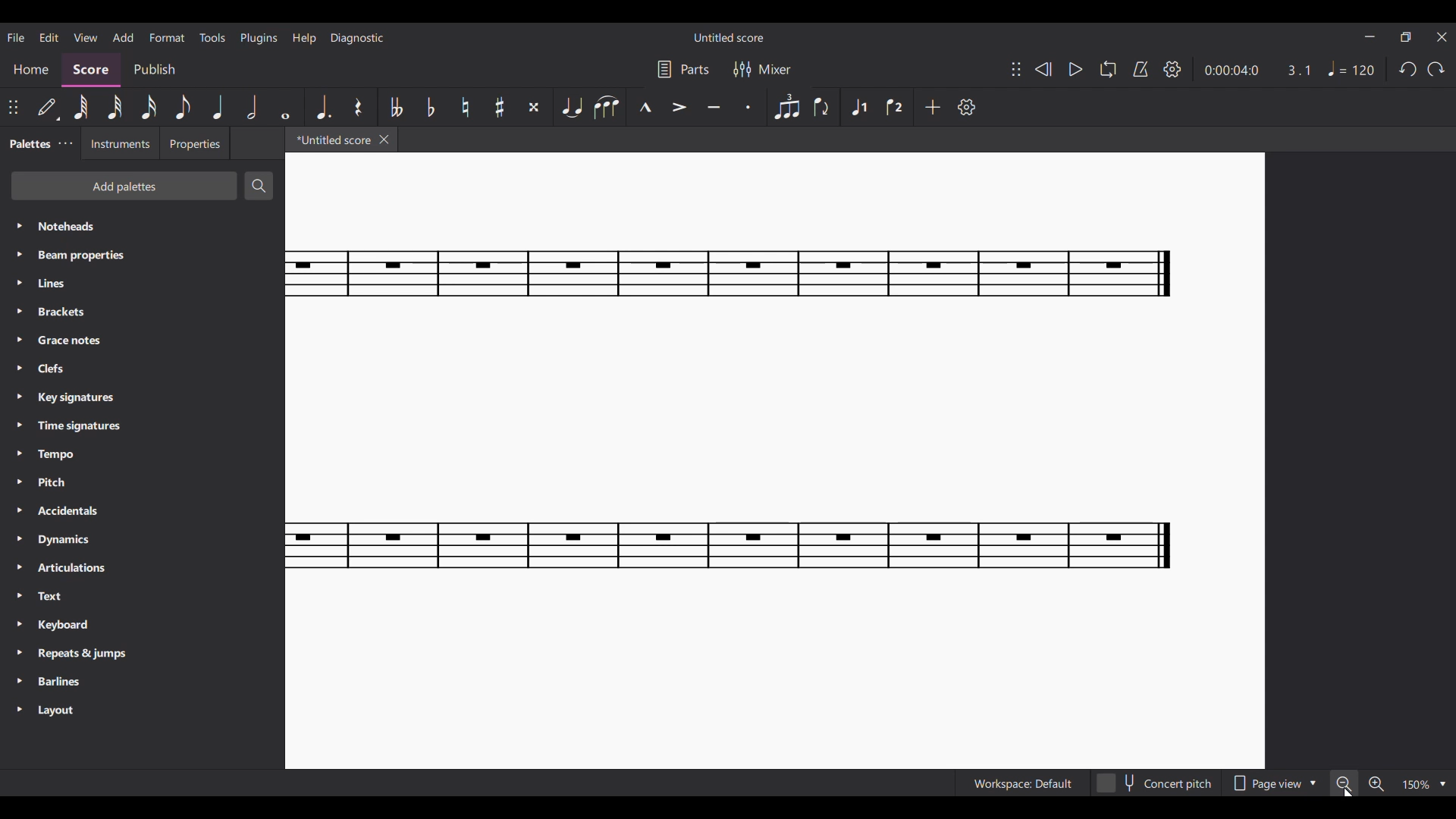 The image size is (1456, 819). What do you see at coordinates (822, 107) in the screenshot?
I see `Flip direction ` at bounding box center [822, 107].